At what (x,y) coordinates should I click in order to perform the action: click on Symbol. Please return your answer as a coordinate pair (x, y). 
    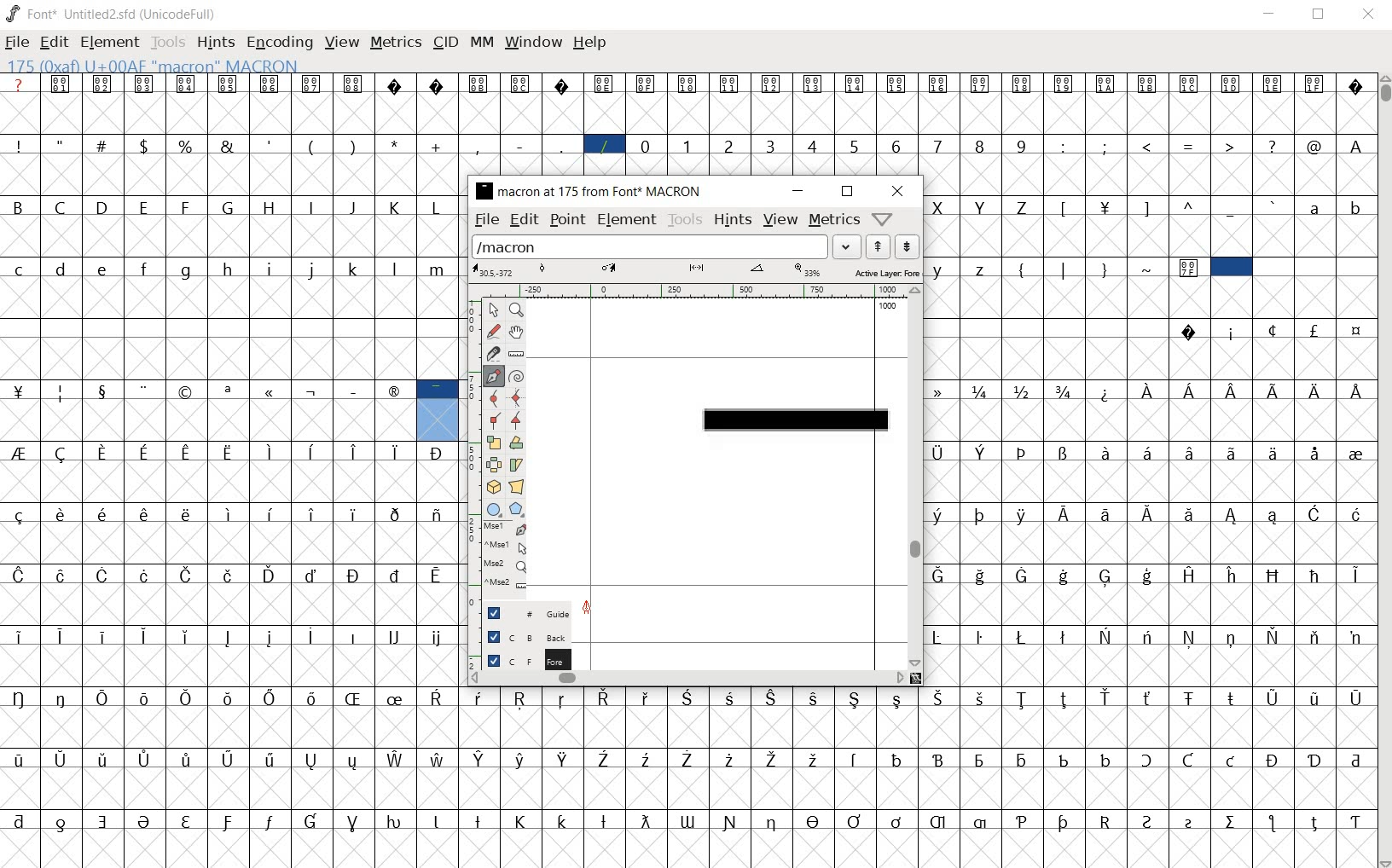
    Looking at the image, I should click on (898, 84).